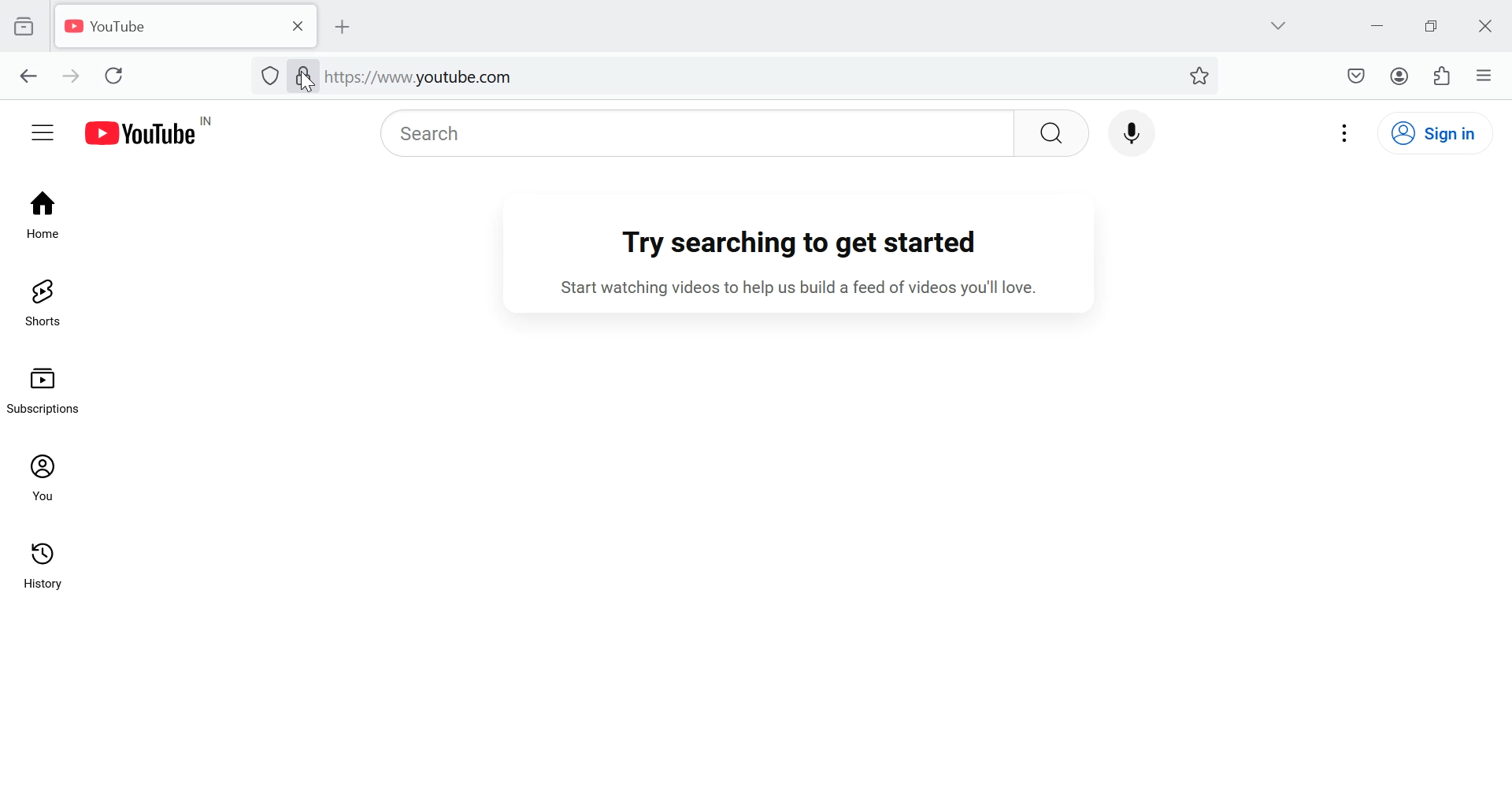 The width and height of the screenshot is (1512, 794). Describe the element at coordinates (817, 289) in the screenshot. I see `Start watching videos to help us build a feed of videos you'll love.` at that location.